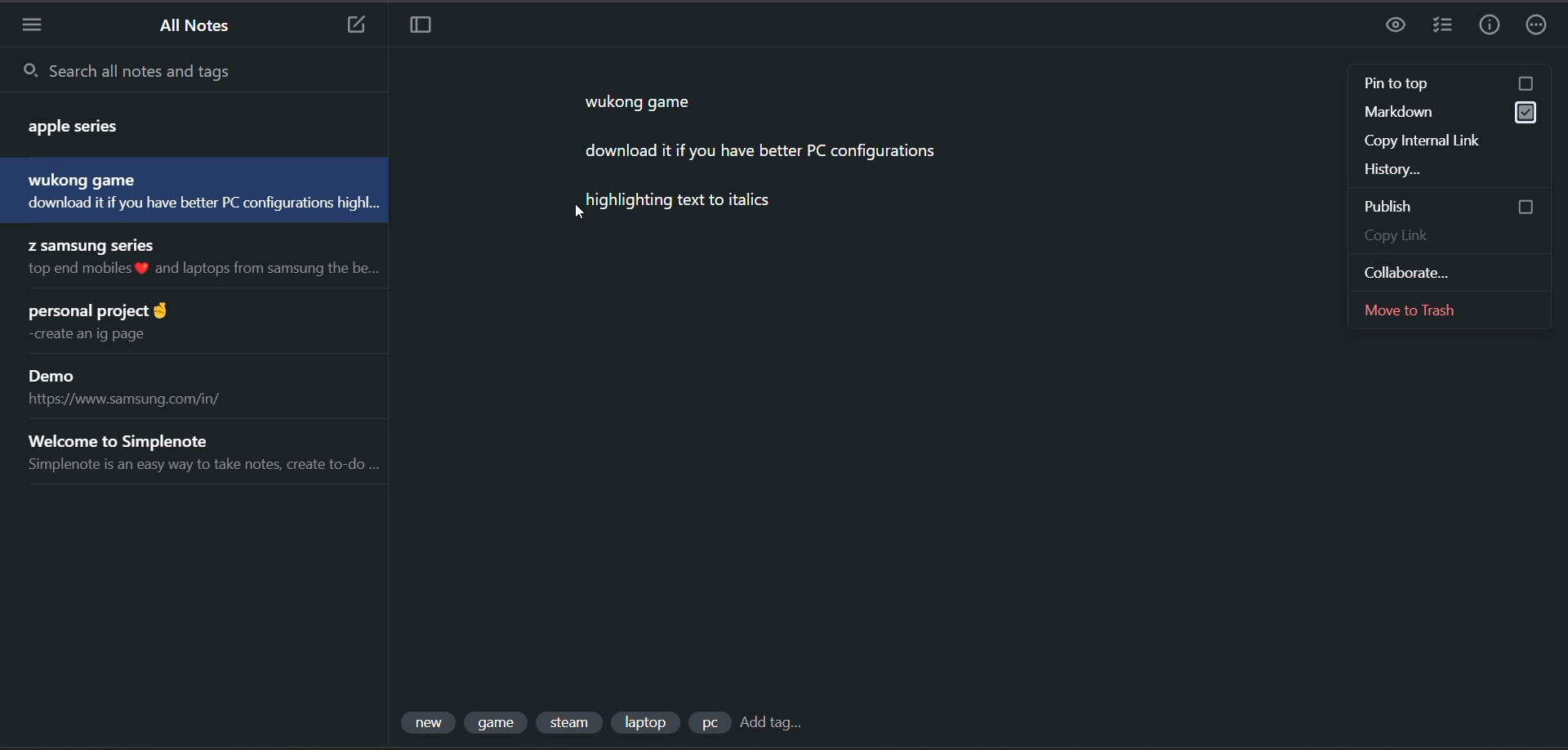 The height and width of the screenshot is (750, 1568). I want to click on note title and preview, so click(200, 452).